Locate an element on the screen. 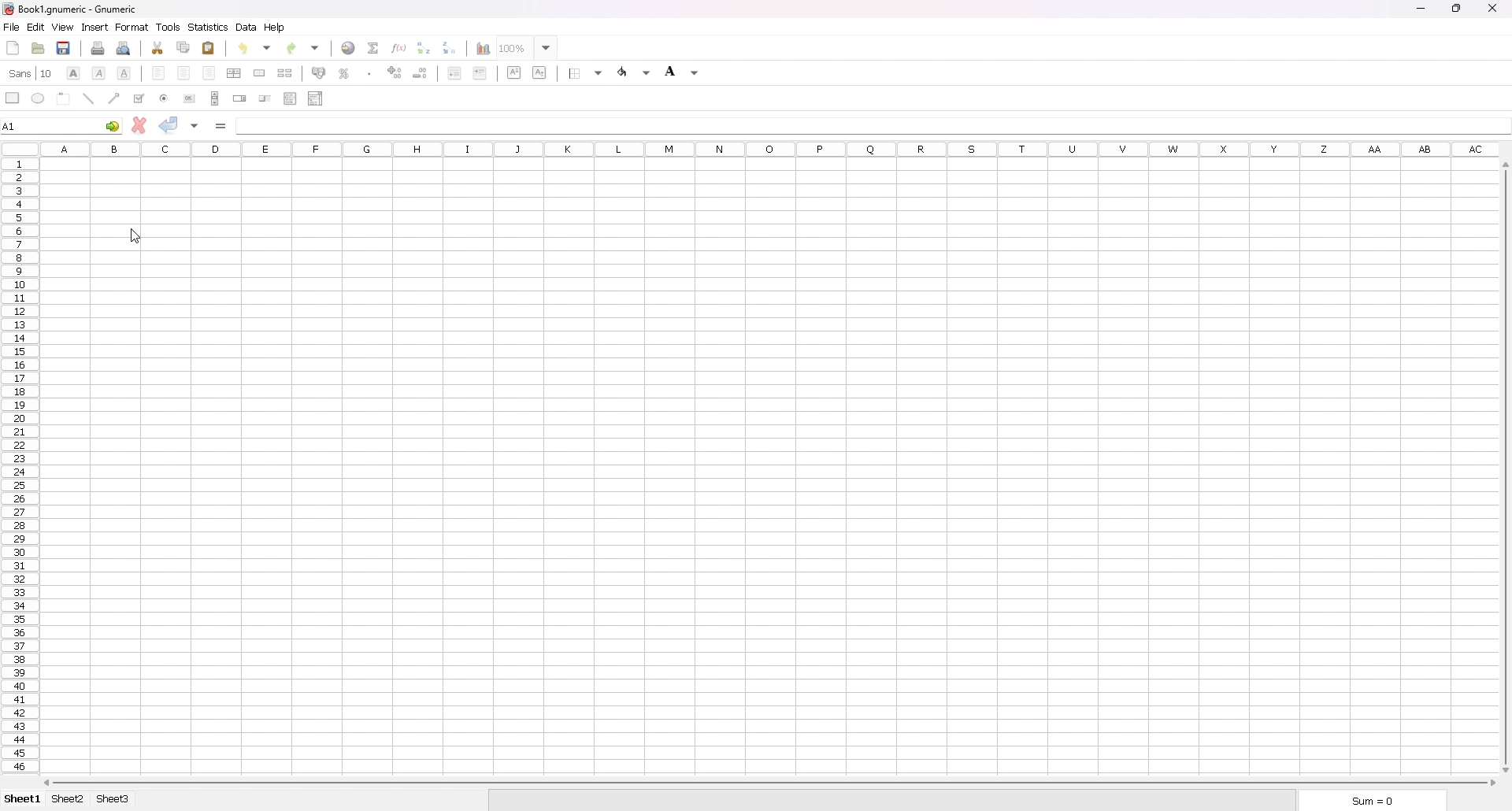 The image size is (1512, 811). open is located at coordinates (39, 48).